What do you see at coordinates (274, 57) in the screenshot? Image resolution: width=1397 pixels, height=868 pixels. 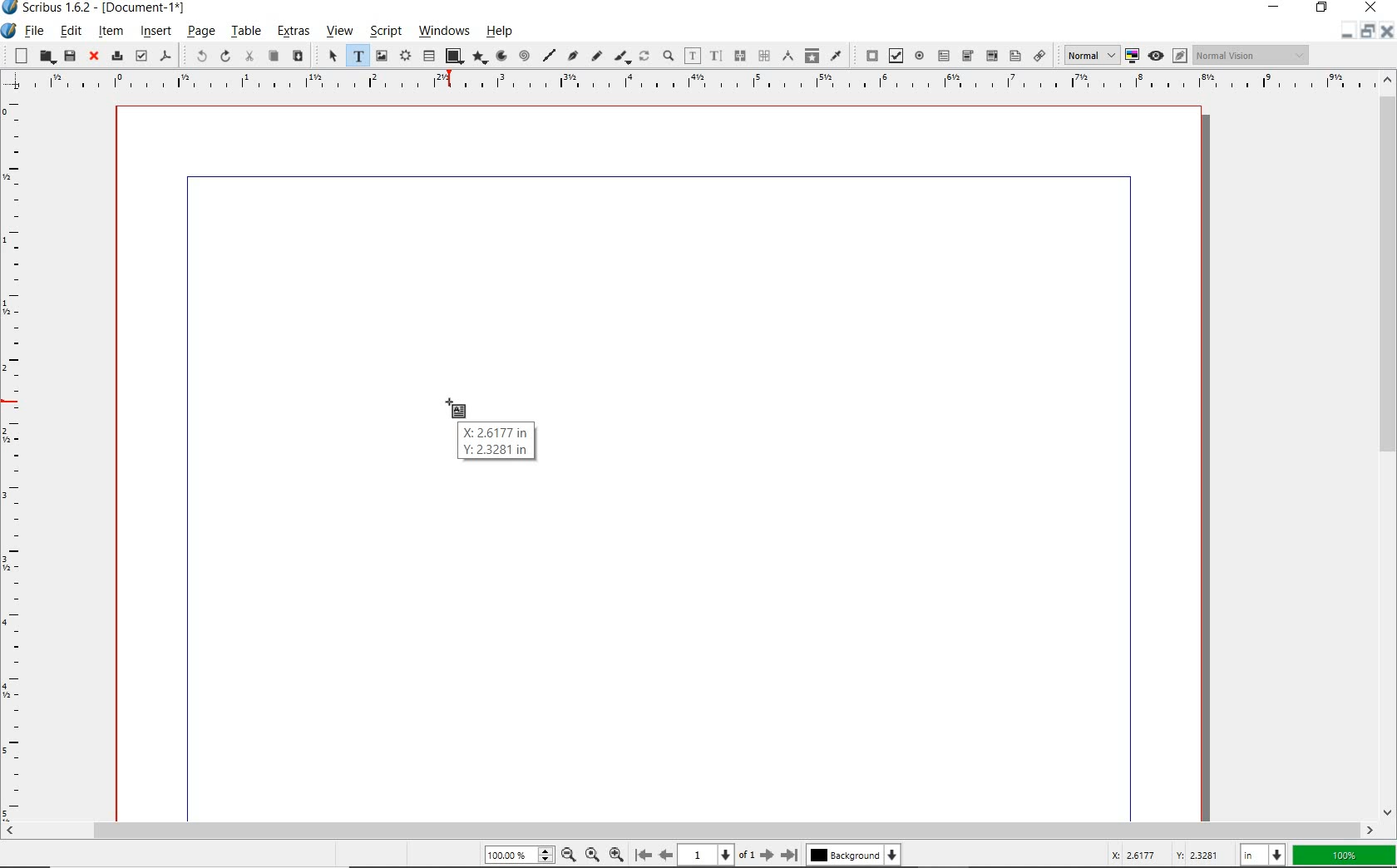 I see `copy` at bounding box center [274, 57].